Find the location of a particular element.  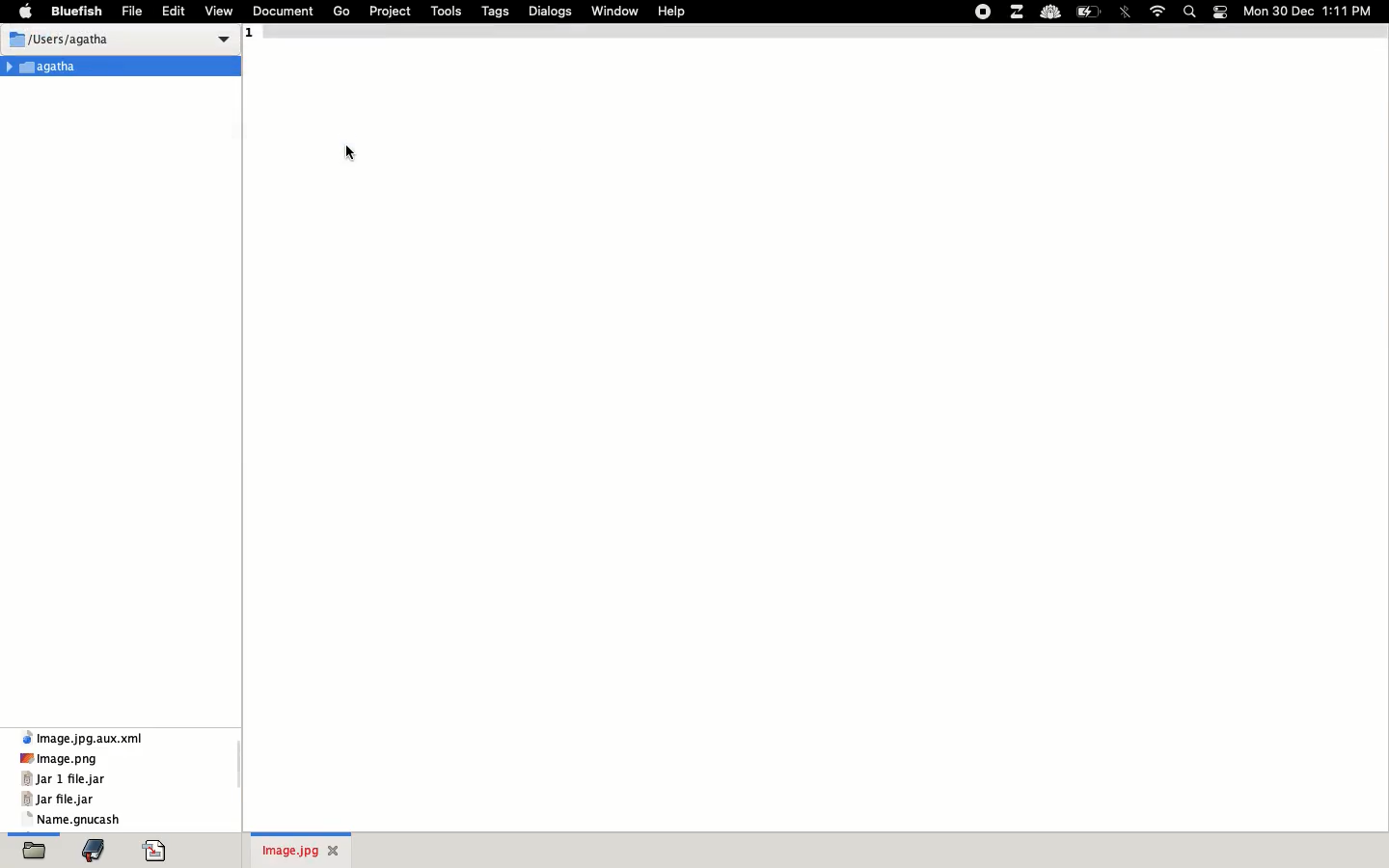

edit is located at coordinates (175, 10).